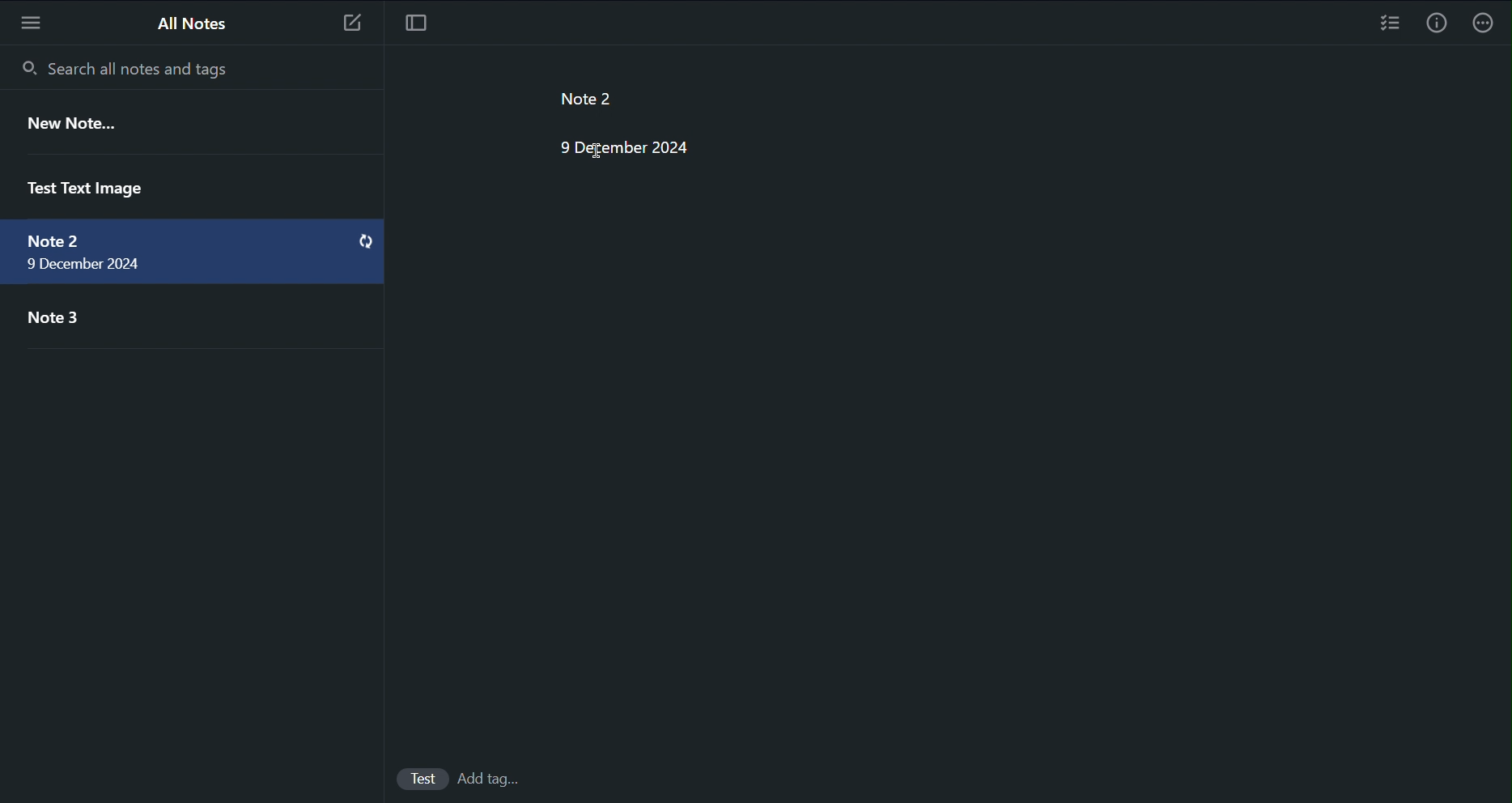  What do you see at coordinates (119, 64) in the screenshot?
I see `Search all notes and tags` at bounding box center [119, 64].